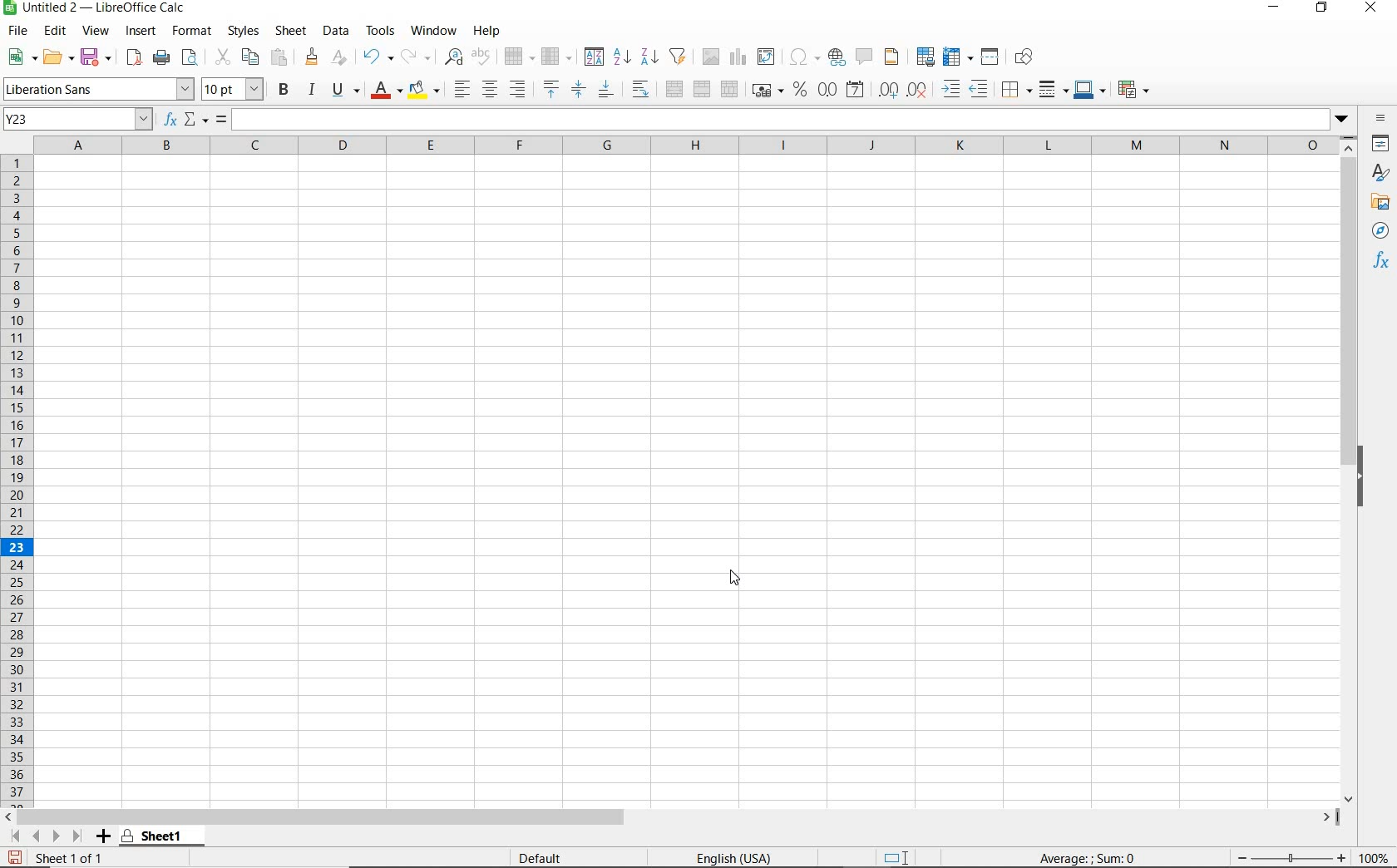 This screenshot has height=868, width=1397. I want to click on STYLES, so click(1380, 173).